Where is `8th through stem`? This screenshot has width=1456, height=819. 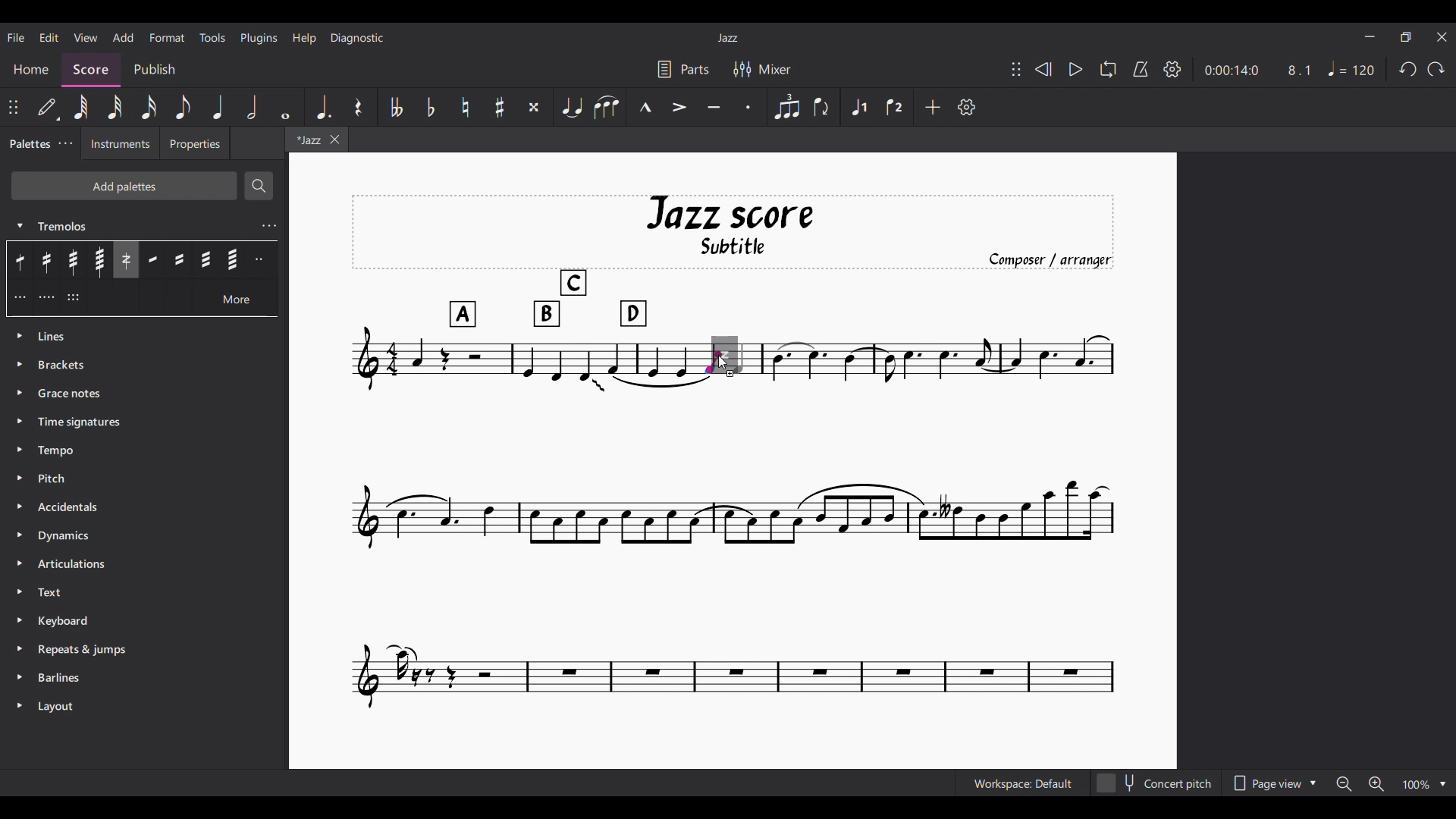
8th through stem is located at coordinates (22, 259).